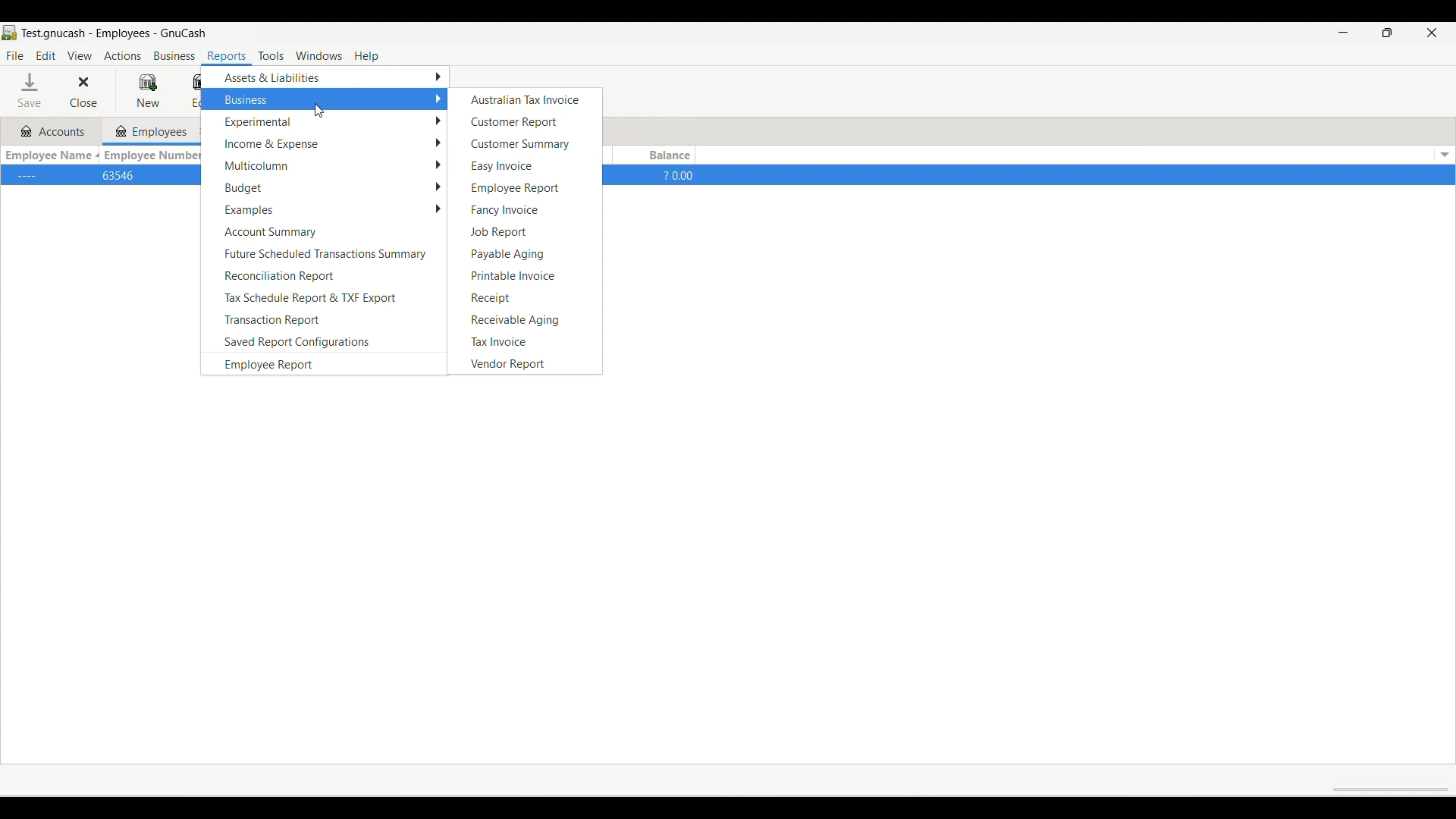 This screenshot has width=1456, height=819. Describe the element at coordinates (325, 209) in the screenshot. I see `Examples options` at that location.